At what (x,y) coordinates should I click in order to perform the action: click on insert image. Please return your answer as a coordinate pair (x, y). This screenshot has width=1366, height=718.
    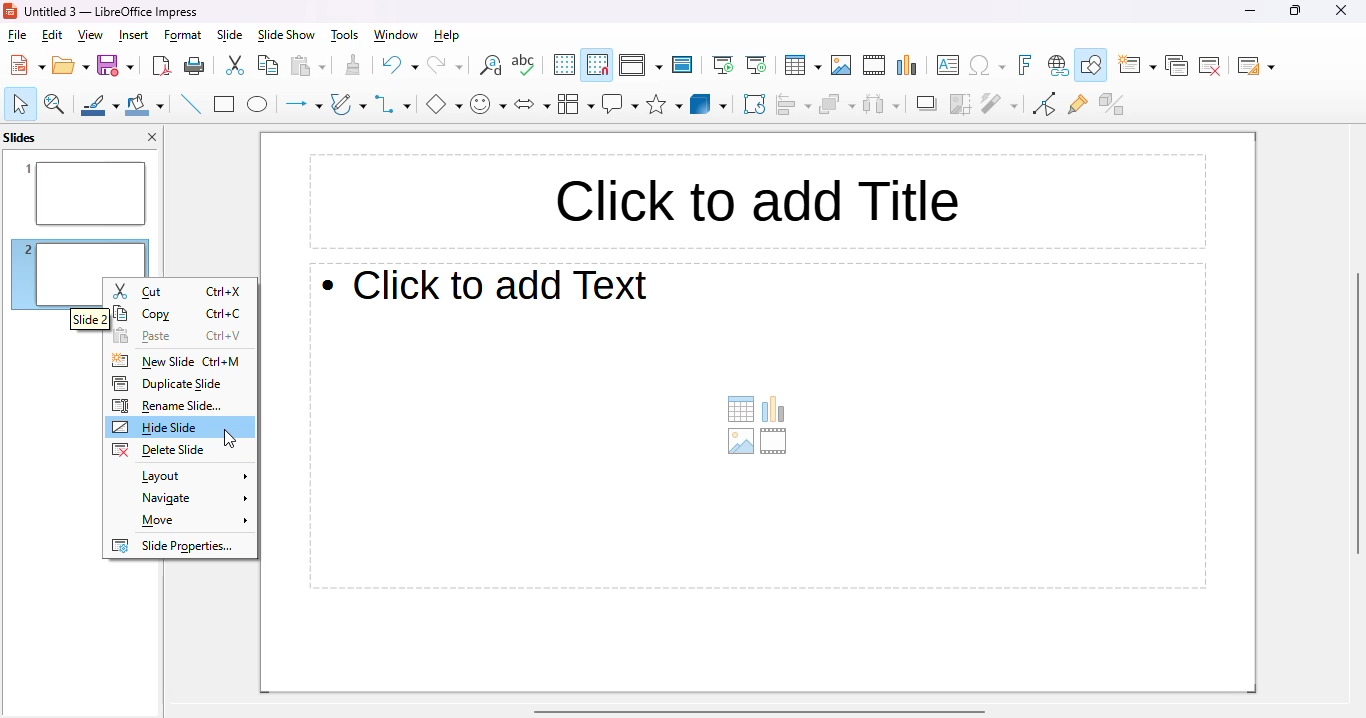
    Looking at the image, I should click on (739, 443).